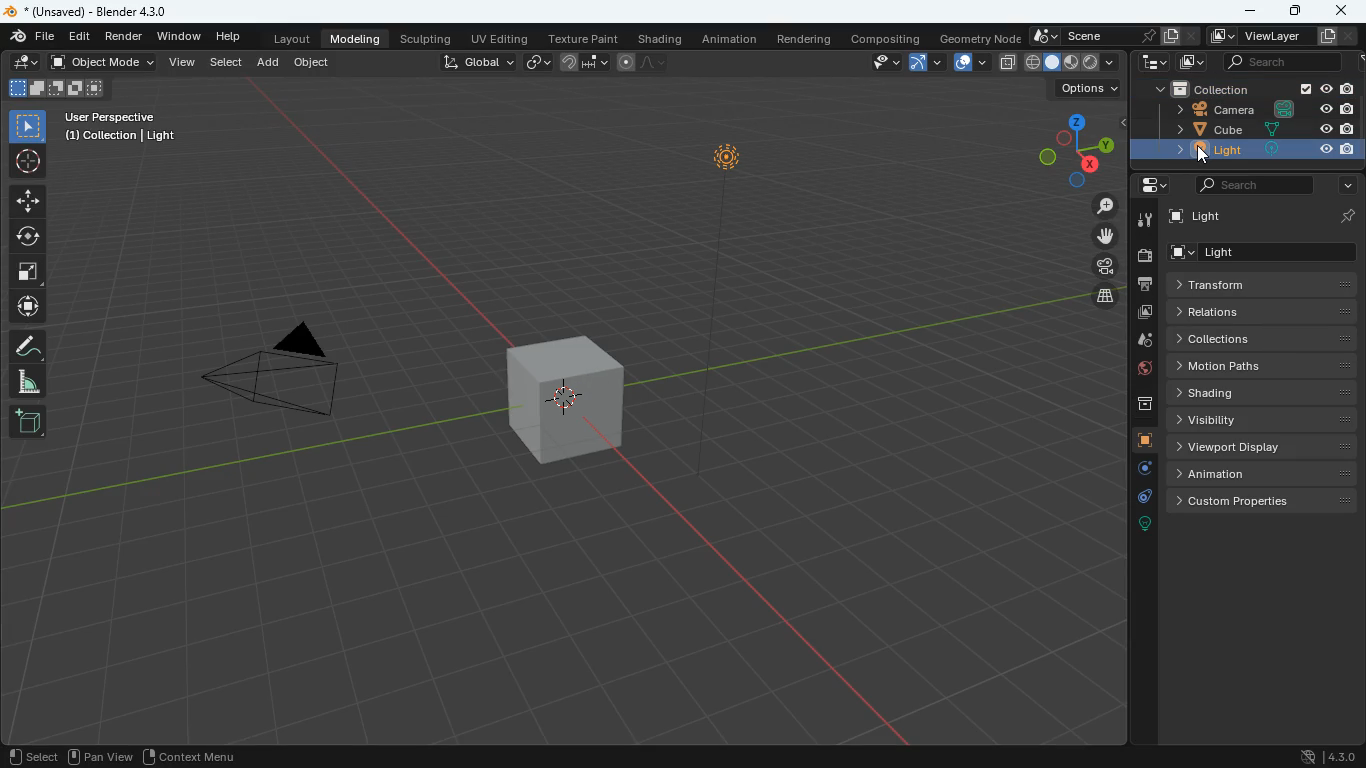  What do you see at coordinates (663, 39) in the screenshot?
I see `shading` at bounding box center [663, 39].